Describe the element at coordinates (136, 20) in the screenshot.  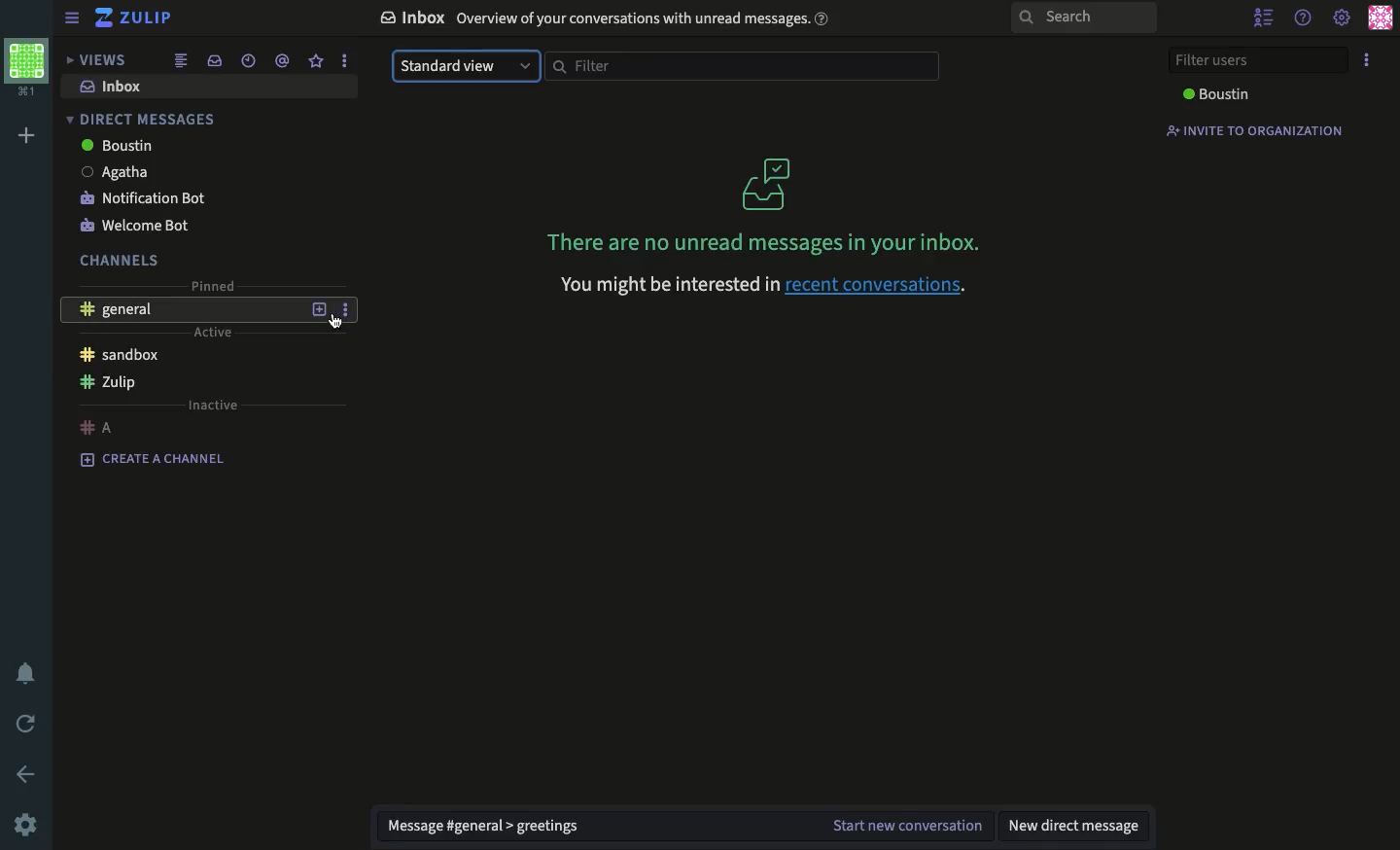
I see `Zulip` at that location.